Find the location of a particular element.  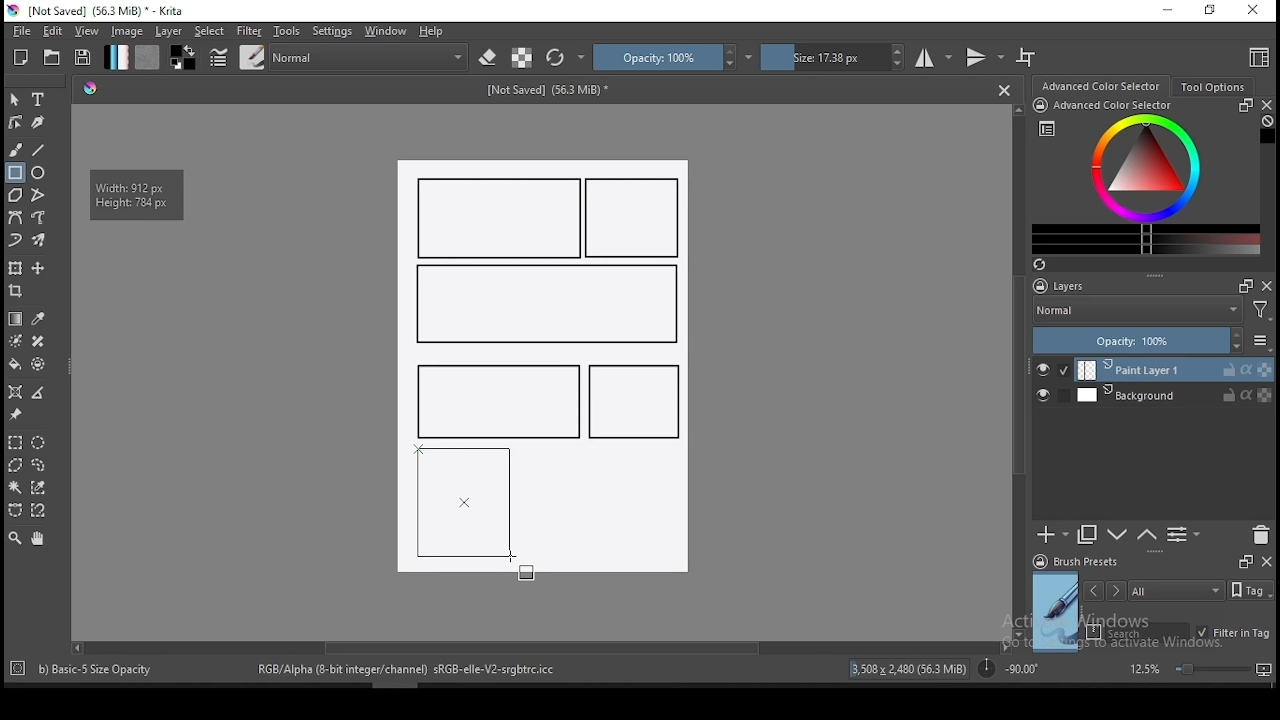

new rectangle is located at coordinates (544, 305).